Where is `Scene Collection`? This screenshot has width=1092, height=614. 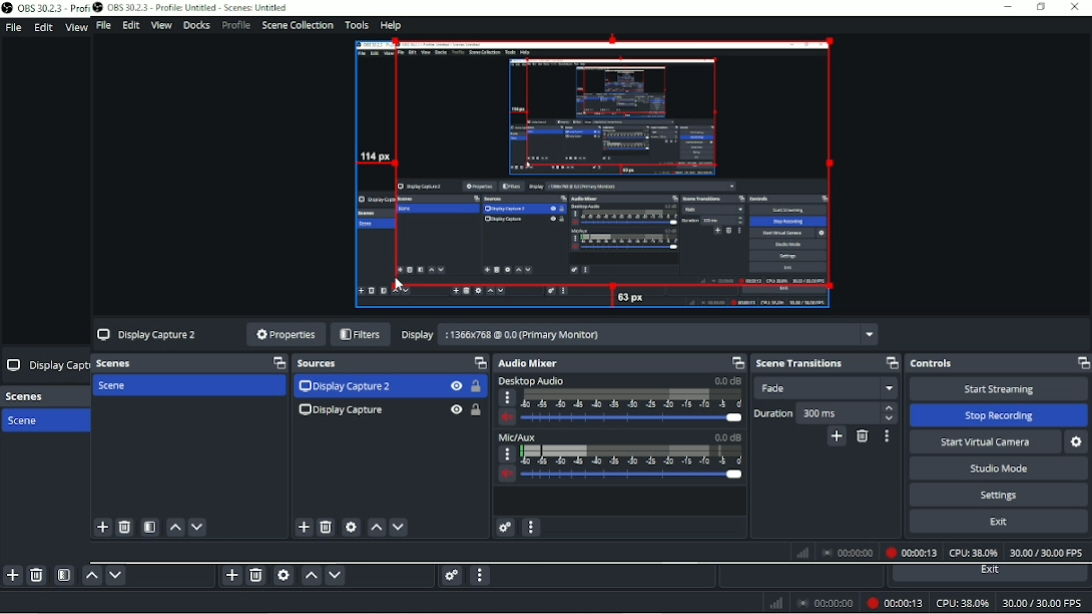 Scene Collection is located at coordinates (299, 25).